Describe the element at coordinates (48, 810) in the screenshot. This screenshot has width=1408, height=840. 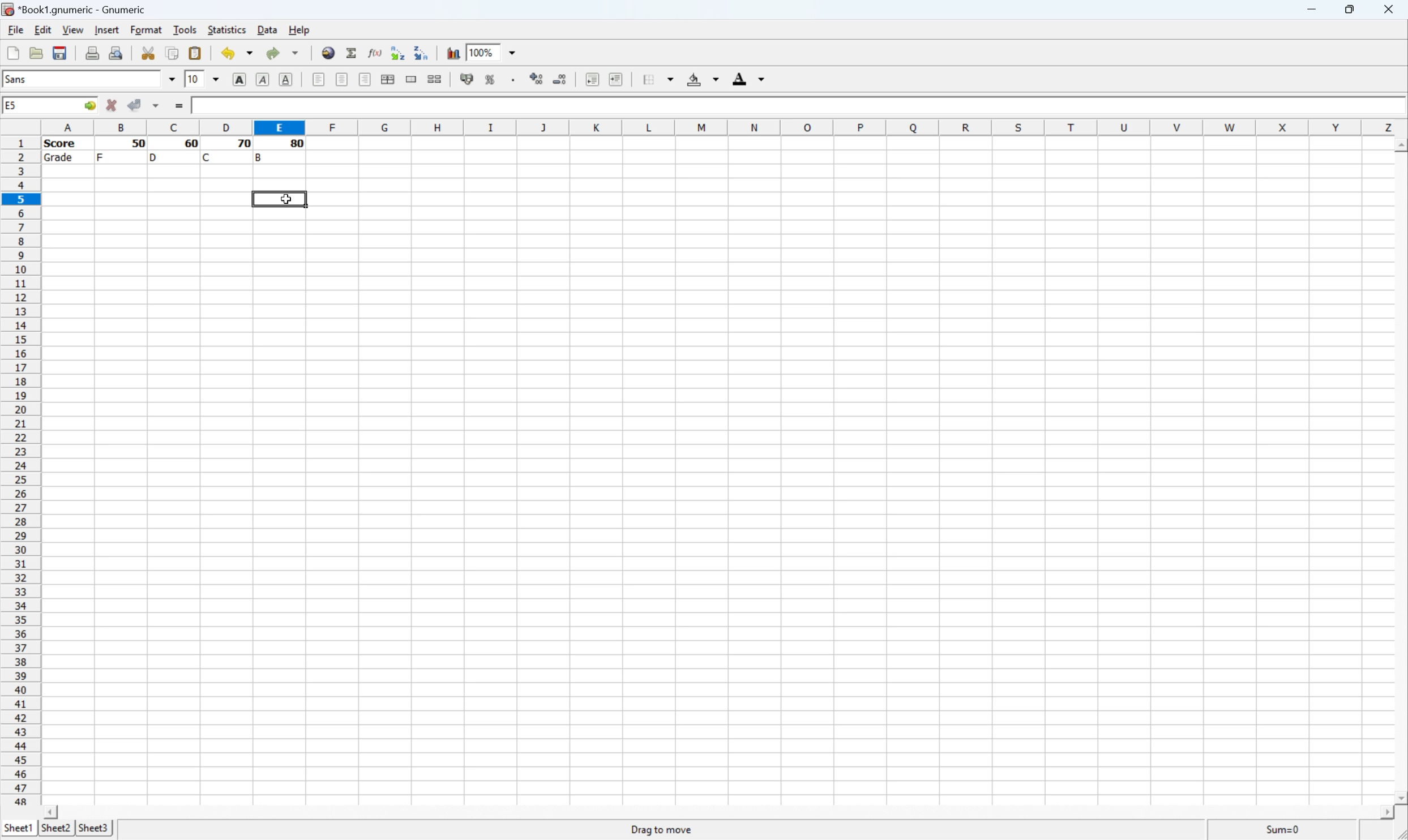
I see `Scroll Left` at that location.